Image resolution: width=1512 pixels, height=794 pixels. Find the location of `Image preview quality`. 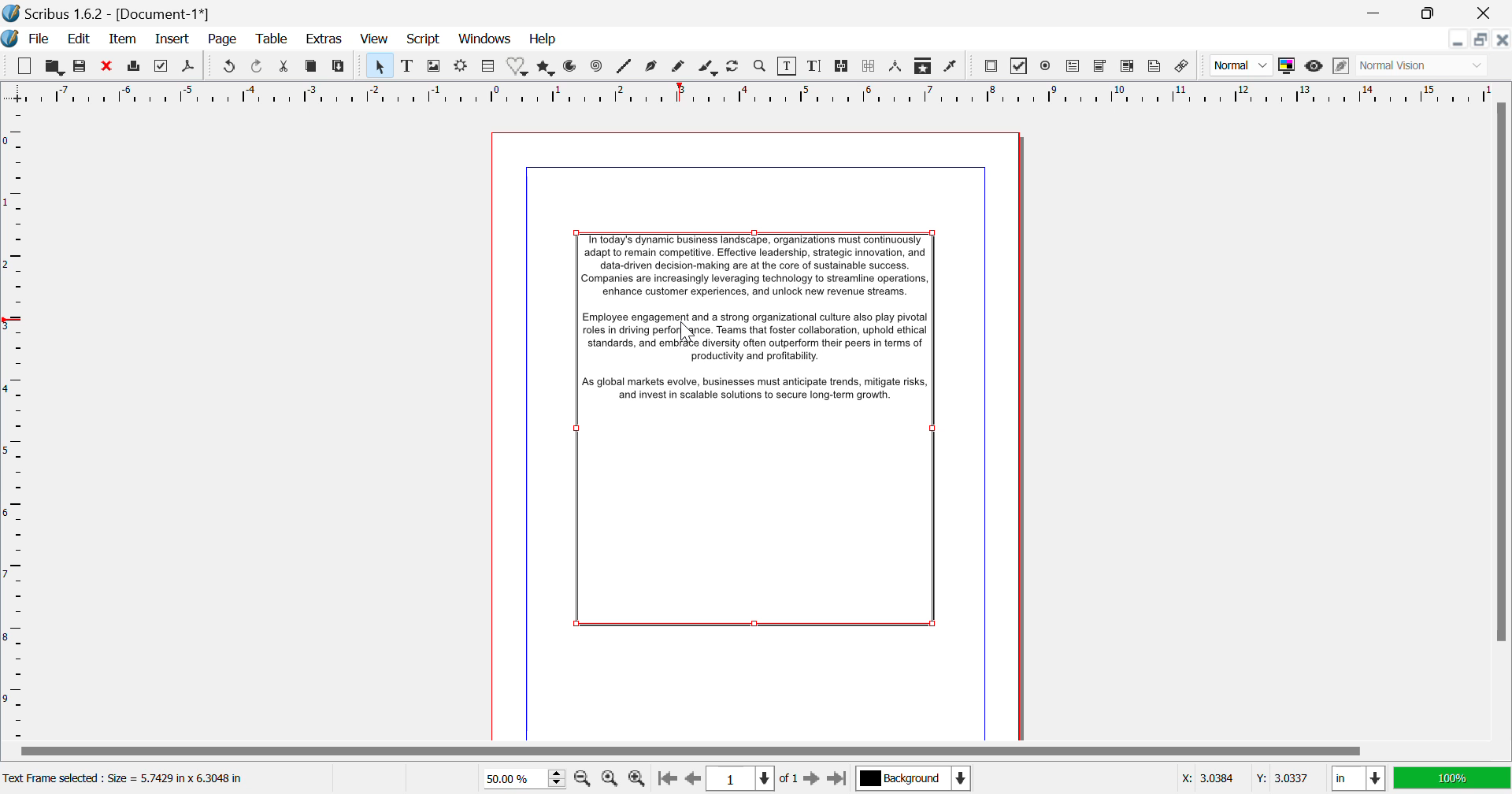

Image preview quality is located at coordinates (1243, 65).